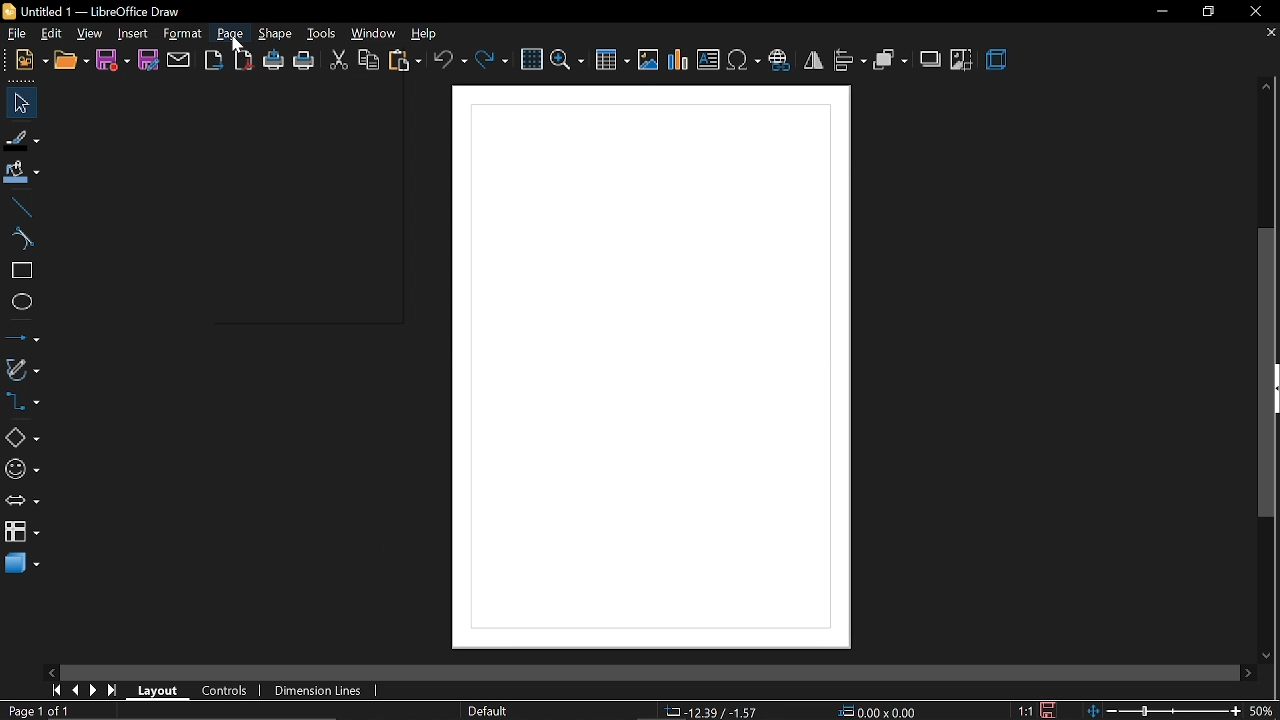 This screenshot has width=1280, height=720. I want to click on insert image, so click(647, 60).